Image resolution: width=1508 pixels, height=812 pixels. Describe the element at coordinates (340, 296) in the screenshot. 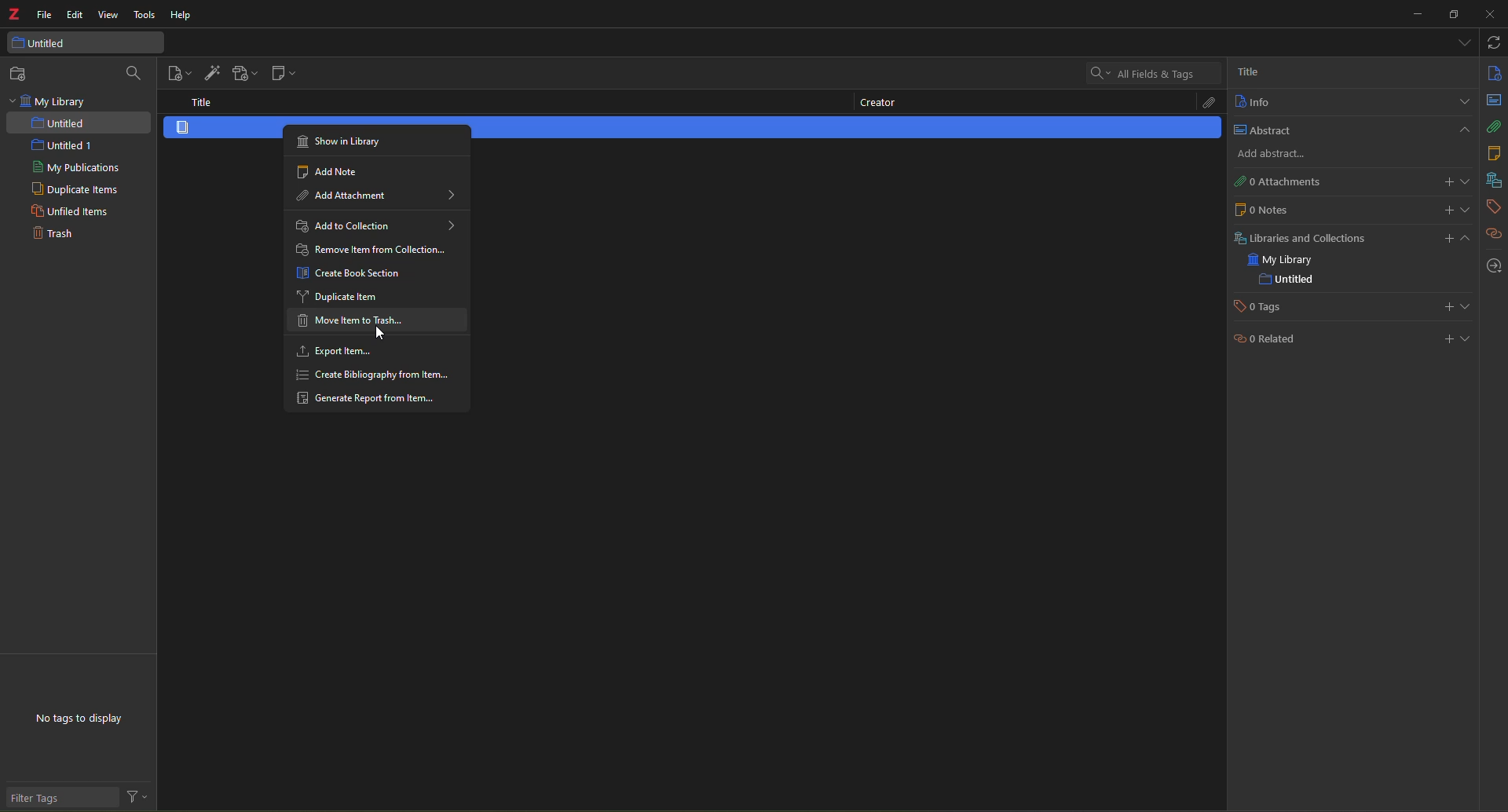

I see `duplicate item` at that location.